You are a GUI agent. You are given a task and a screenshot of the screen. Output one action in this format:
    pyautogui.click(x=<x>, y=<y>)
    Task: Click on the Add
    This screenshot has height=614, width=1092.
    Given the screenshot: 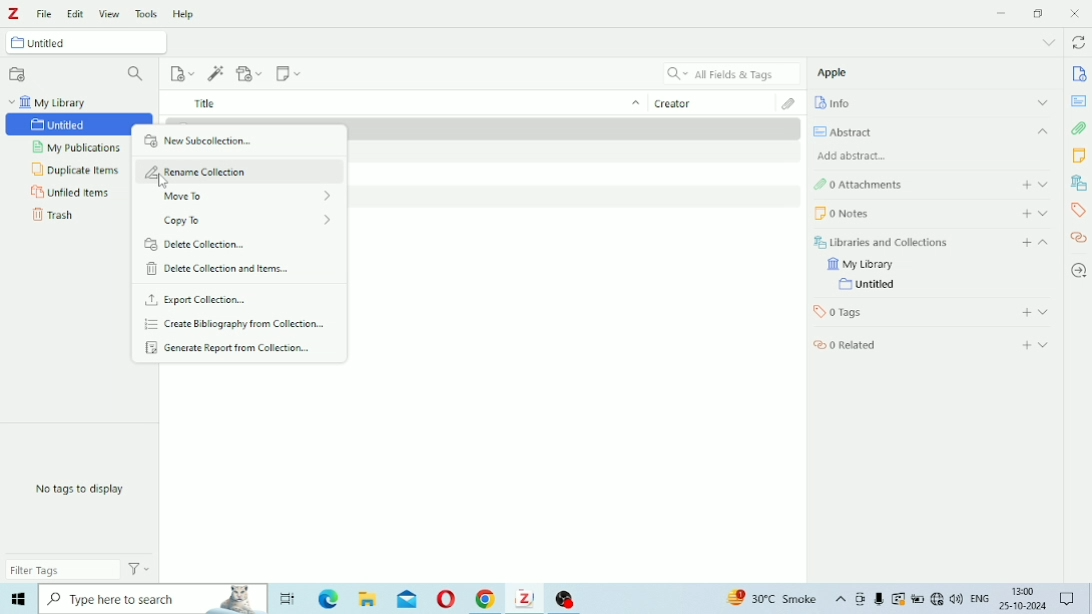 What is the action you would take?
    pyautogui.click(x=1027, y=243)
    